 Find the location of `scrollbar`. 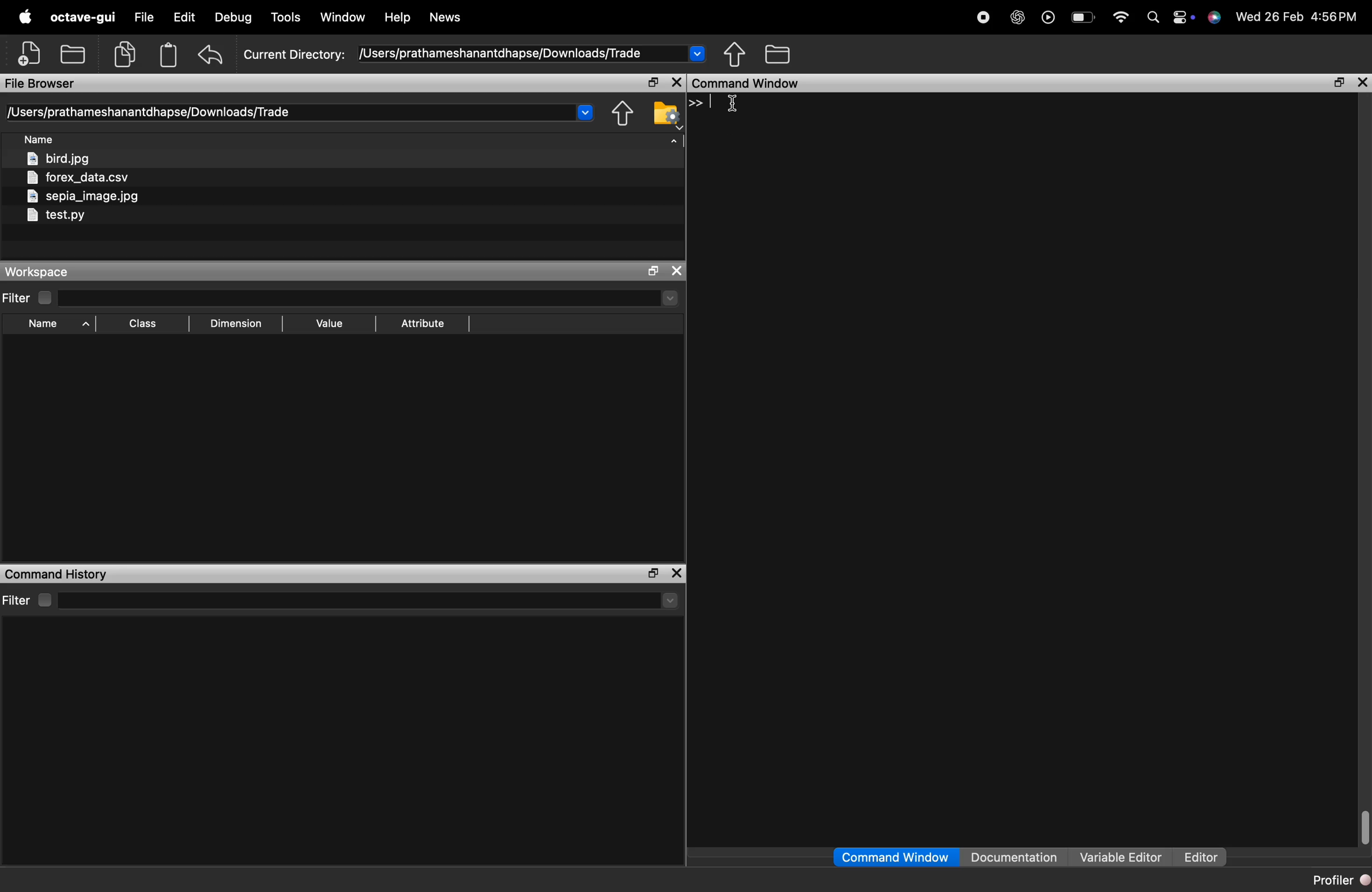

scrollbar is located at coordinates (1363, 830).